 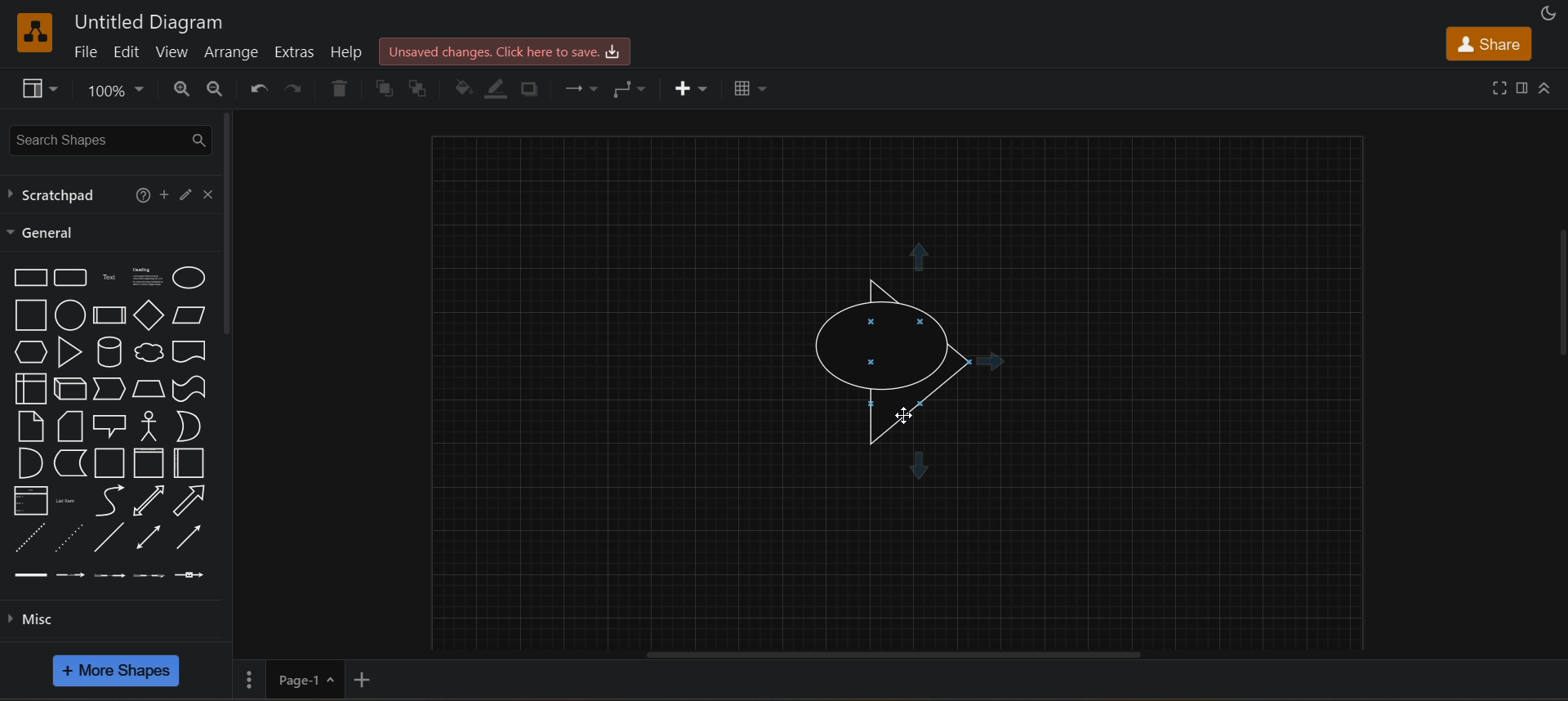 What do you see at coordinates (905, 654) in the screenshot?
I see `horizontal scroll bar` at bounding box center [905, 654].